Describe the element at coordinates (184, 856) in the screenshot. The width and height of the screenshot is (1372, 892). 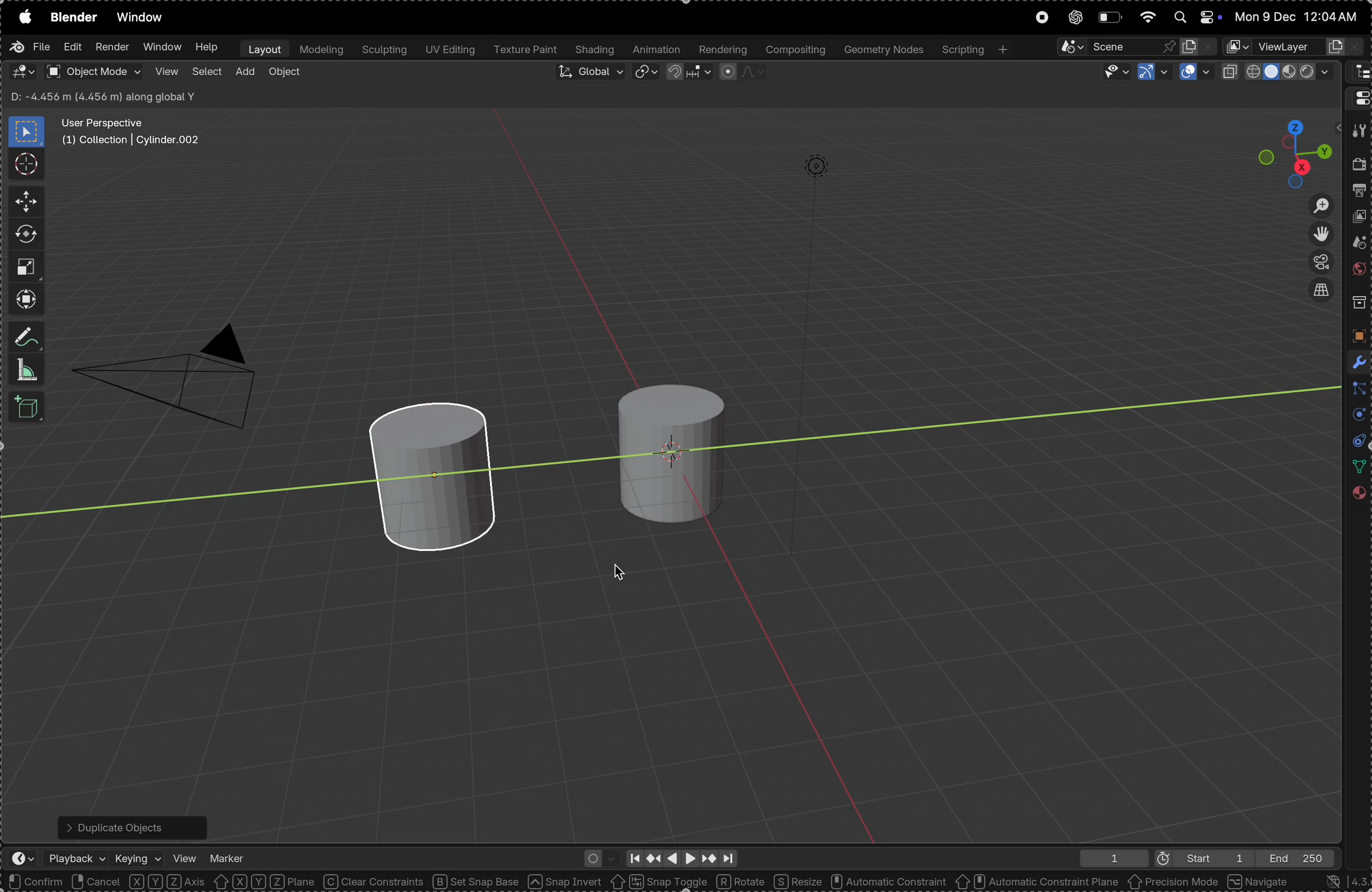
I see `view` at that location.